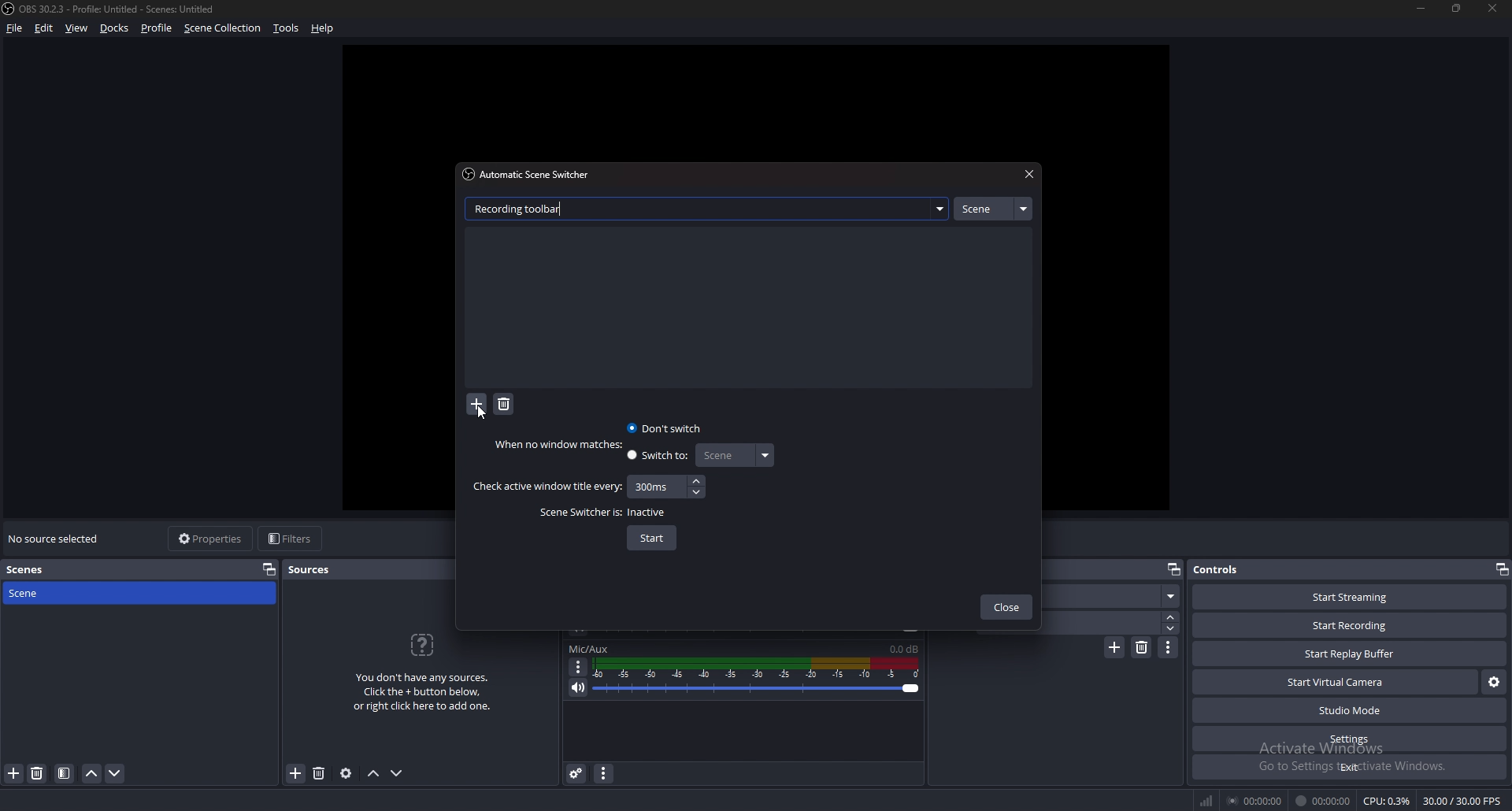 The height and width of the screenshot is (811, 1512). I want to click on decrease time, so click(699, 491).